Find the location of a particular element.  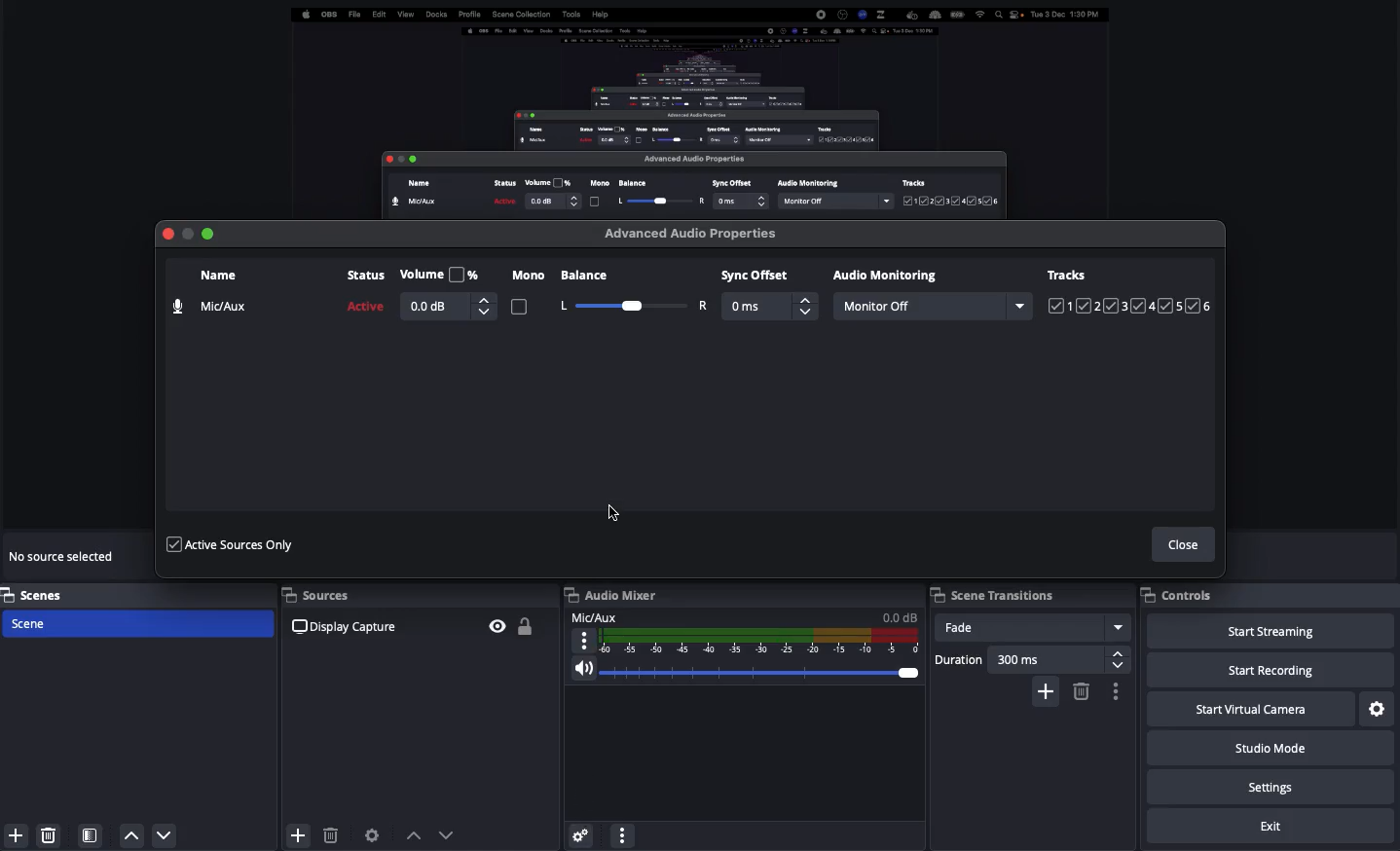

settings is located at coordinates (573, 839).